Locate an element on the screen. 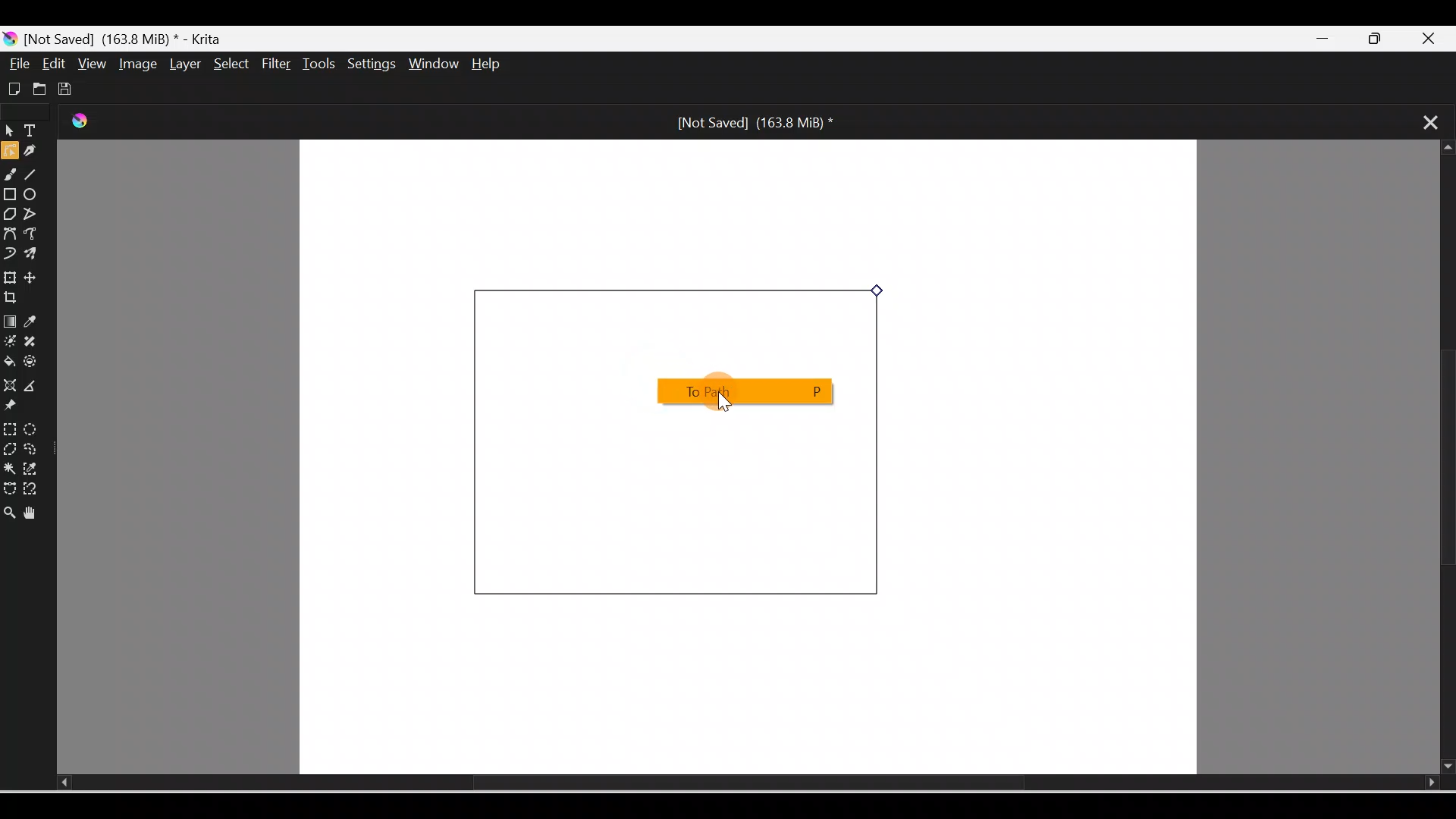  Measure the distance between two points is located at coordinates (36, 387).